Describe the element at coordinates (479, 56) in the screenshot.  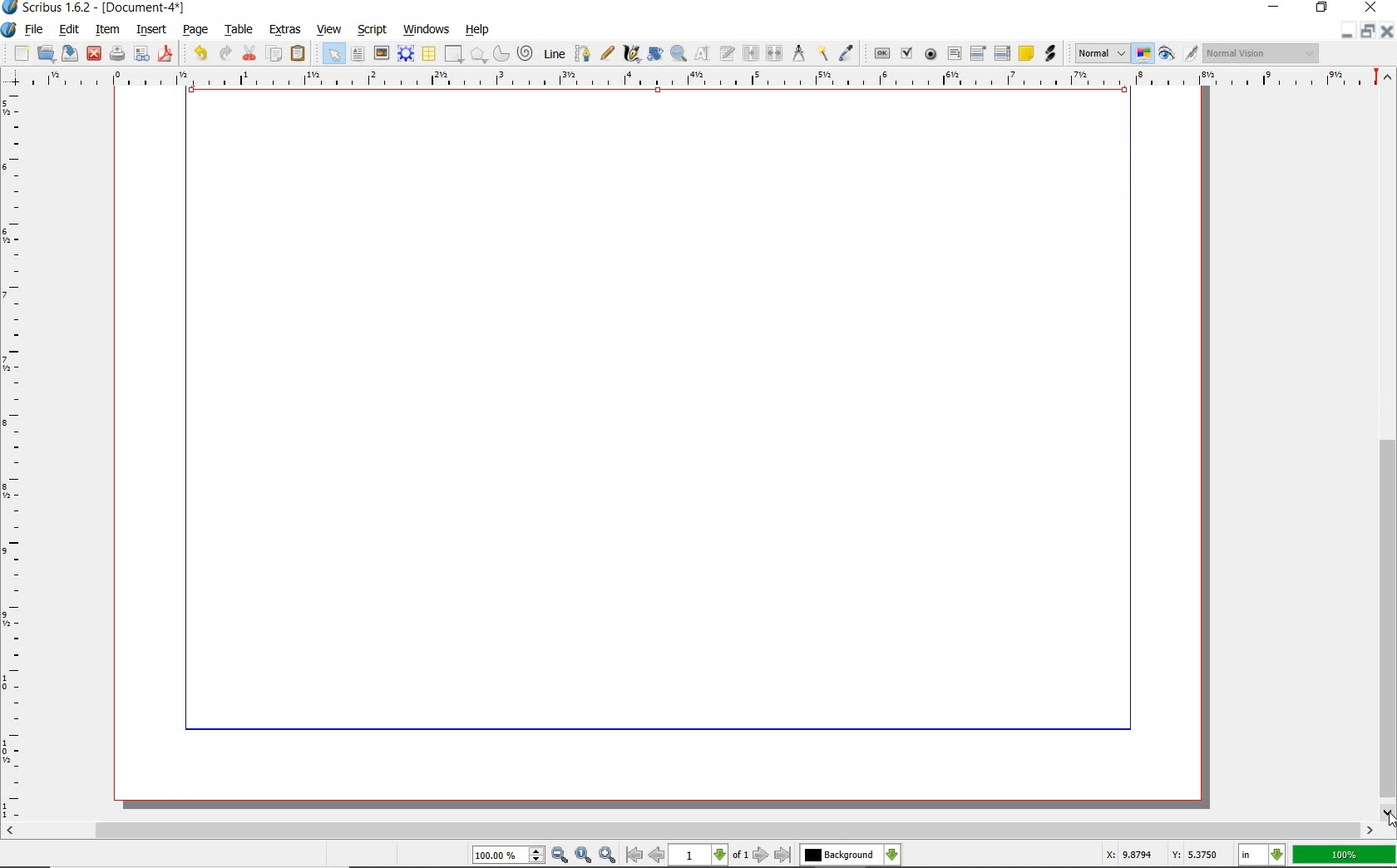
I see `polygon` at that location.